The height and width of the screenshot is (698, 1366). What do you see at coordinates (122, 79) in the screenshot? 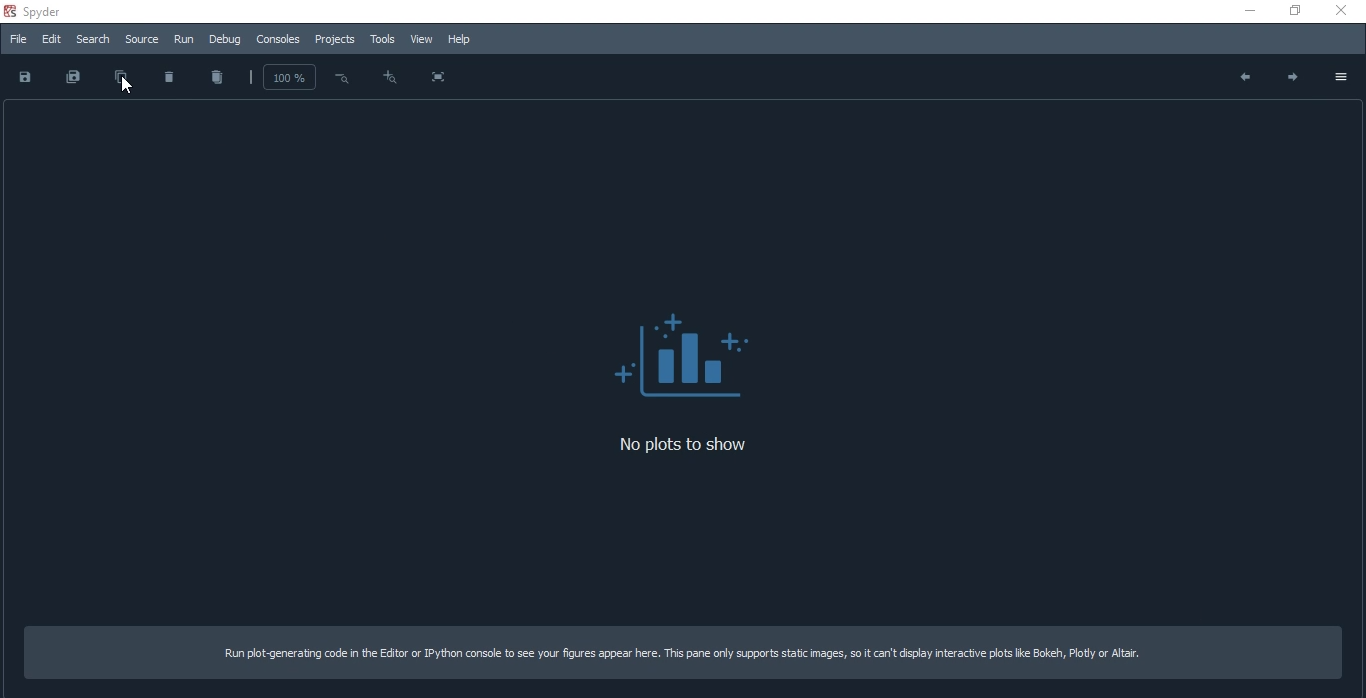
I see `copy` at bounding box center [122, 79].